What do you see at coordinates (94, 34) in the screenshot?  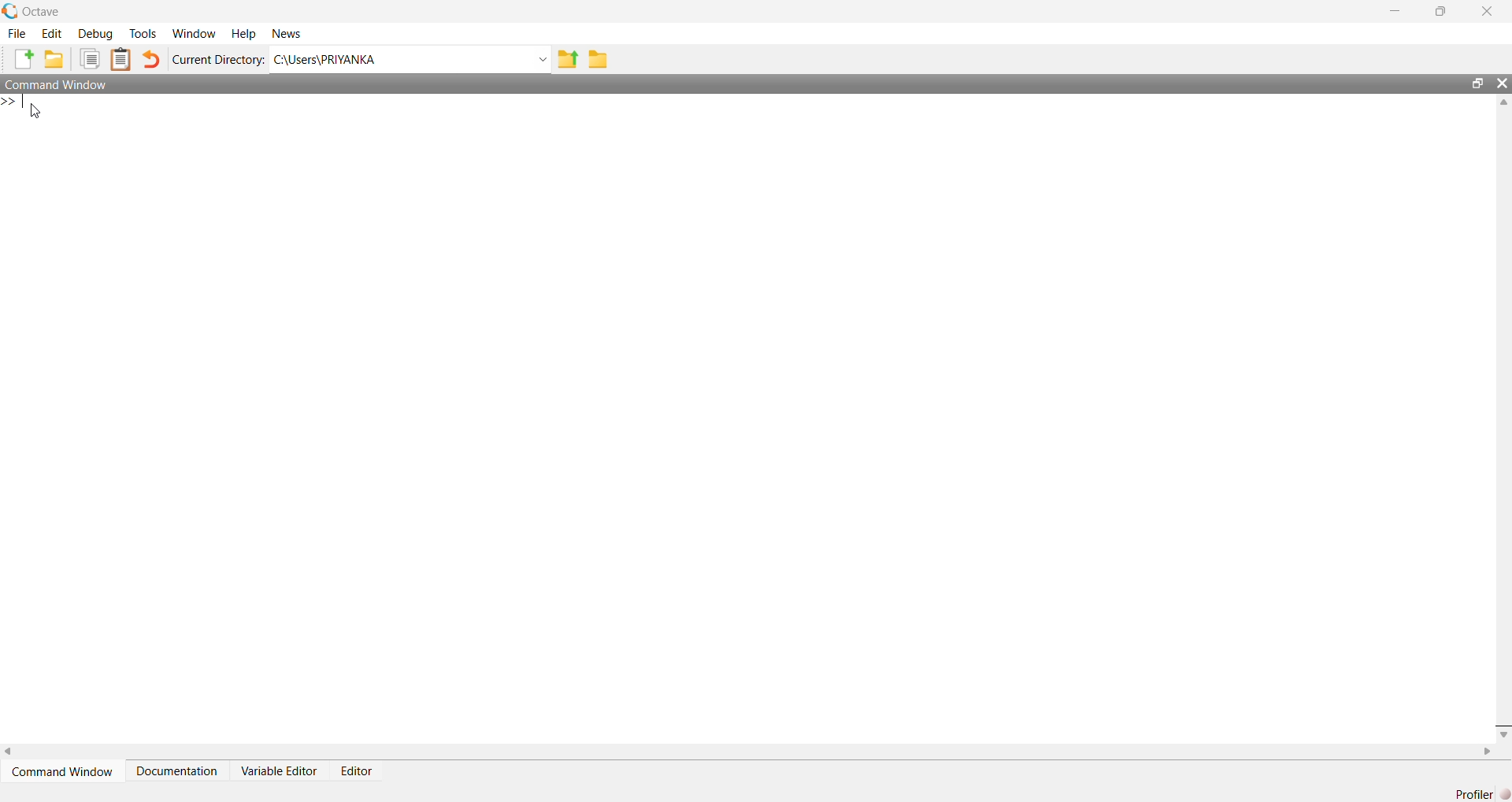 I see `debug` at bounding box center [94, 34].